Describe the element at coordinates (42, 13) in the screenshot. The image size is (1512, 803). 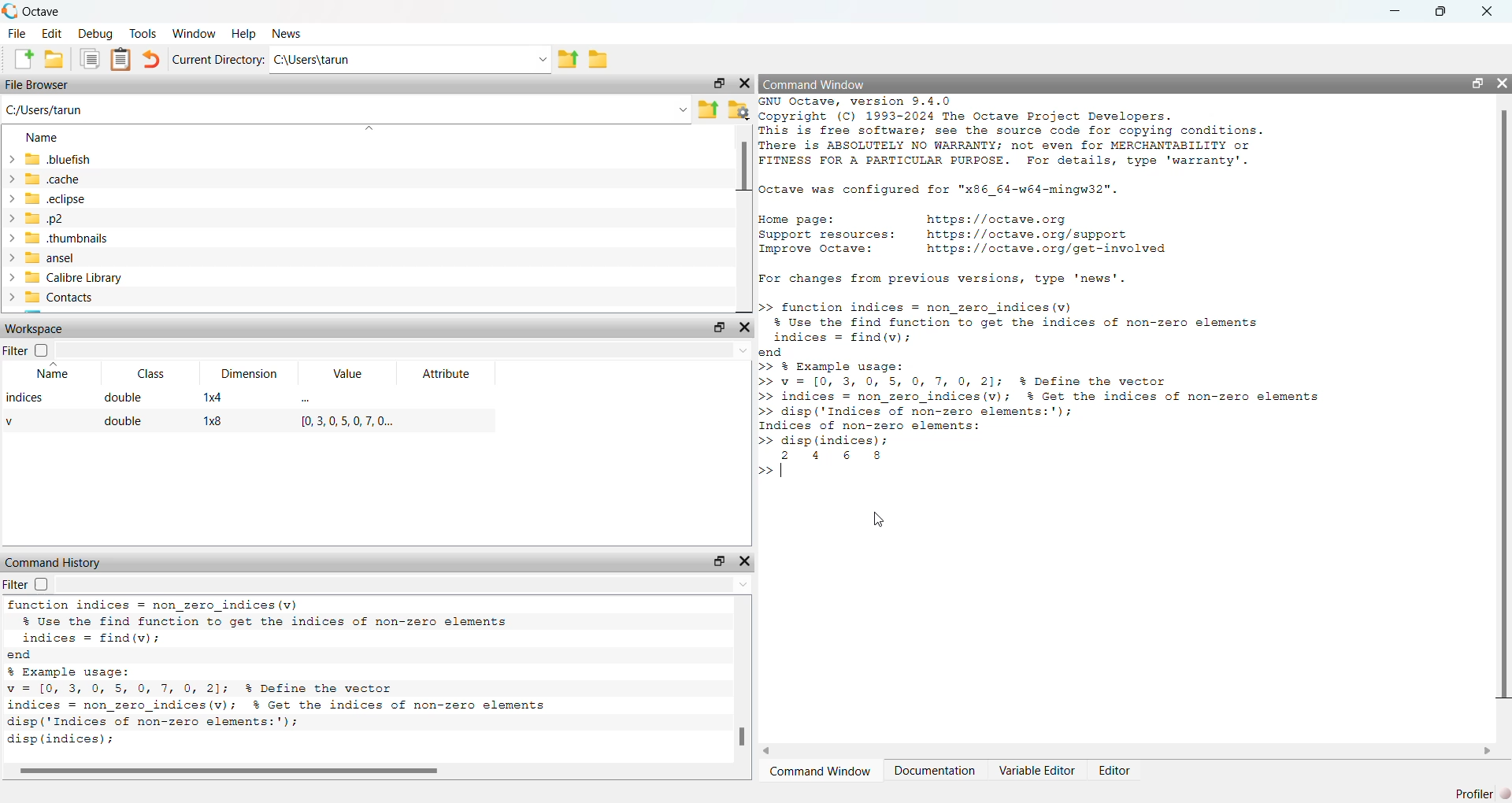
I see `Octave` at that location.